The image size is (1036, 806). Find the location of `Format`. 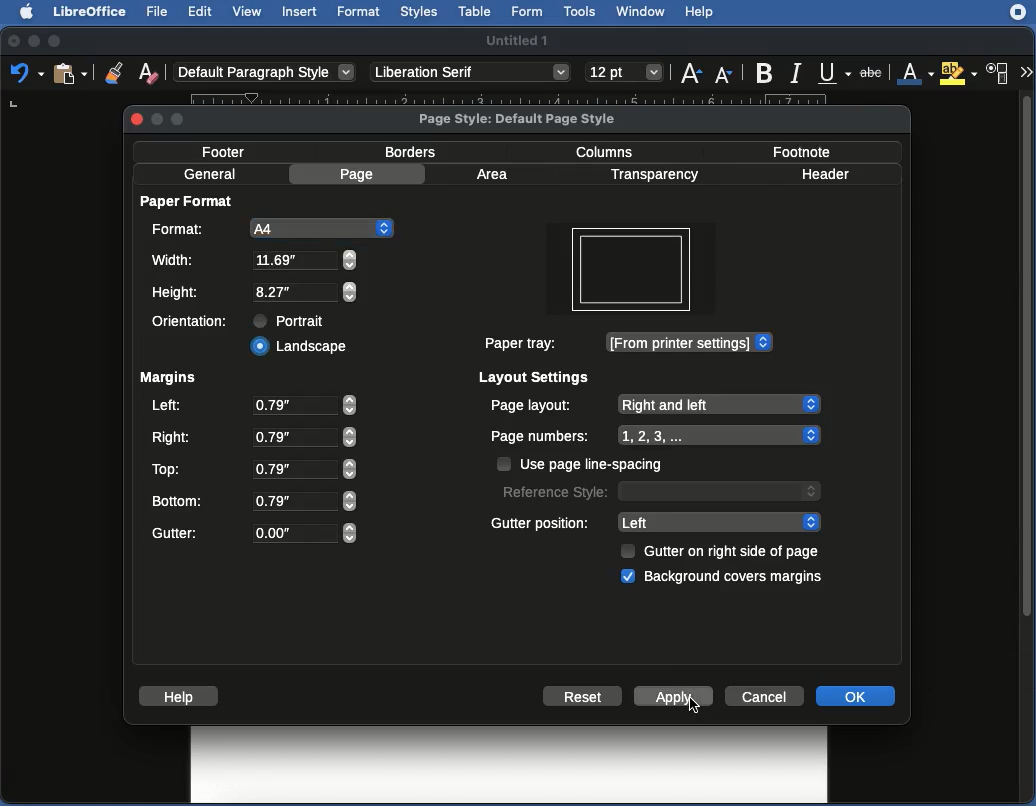

Format is located at coordinates (181, 231).